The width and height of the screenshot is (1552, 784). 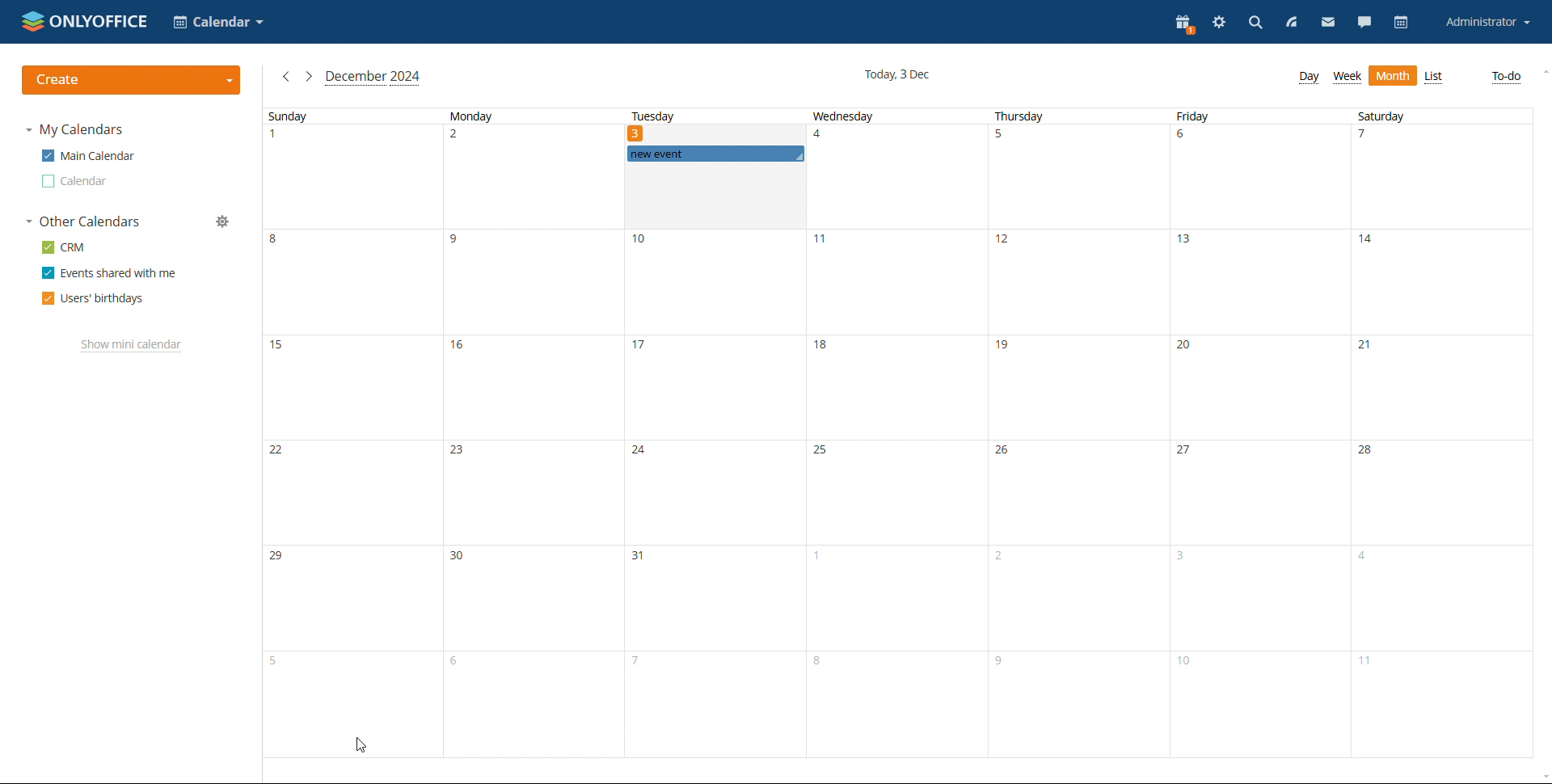 What do you see at coordinates (529, 433) in the screenshot?
I see `monday` at bounding box center [529, 433].